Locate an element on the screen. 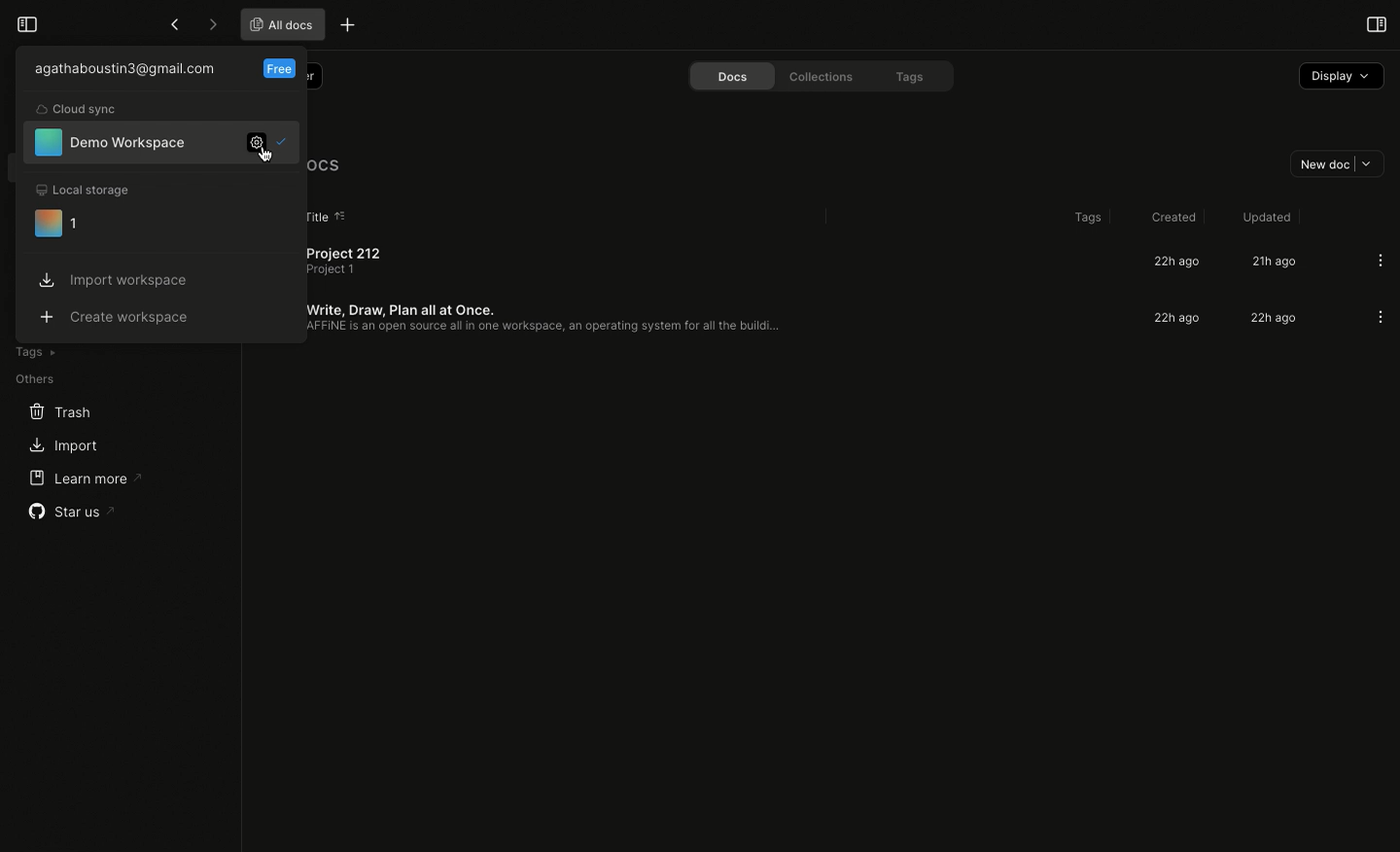 The width and height of the screenshot is (1400, 852). Selection is located at coordinates (286, 143).